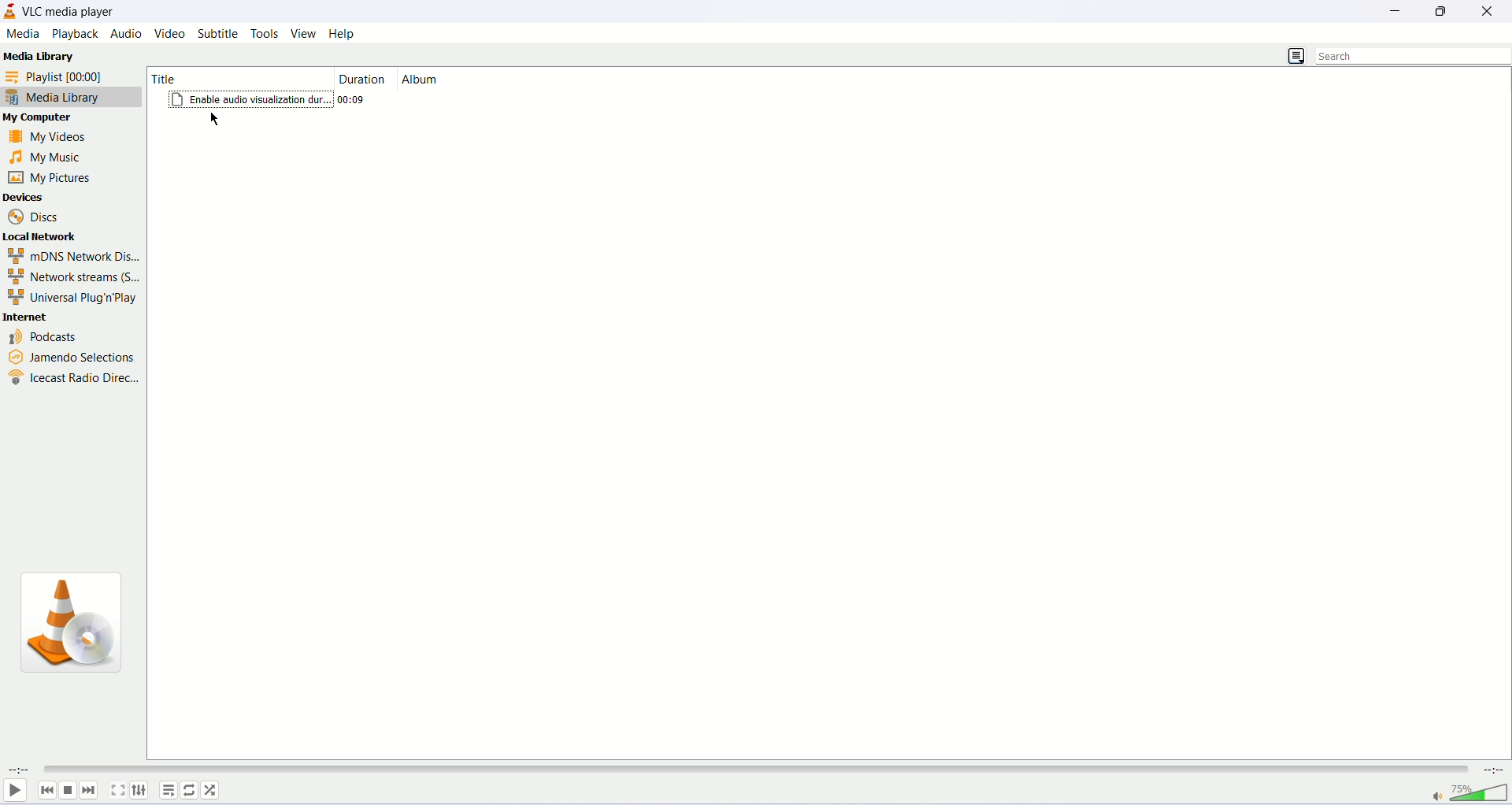  I want to click on video, so click(172, 34).